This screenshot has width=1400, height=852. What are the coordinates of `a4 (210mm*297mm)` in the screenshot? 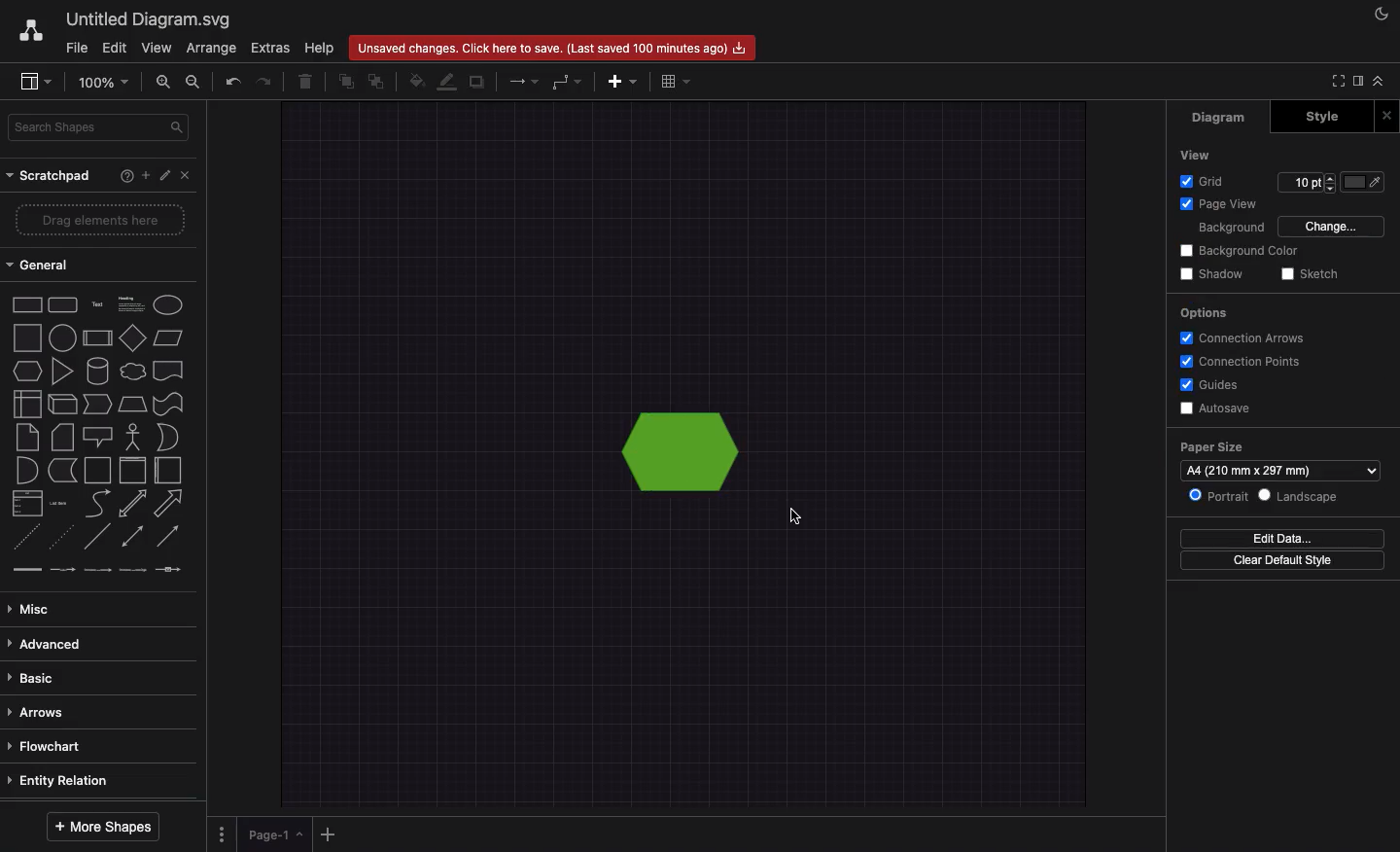 It's located at (1280, 471).